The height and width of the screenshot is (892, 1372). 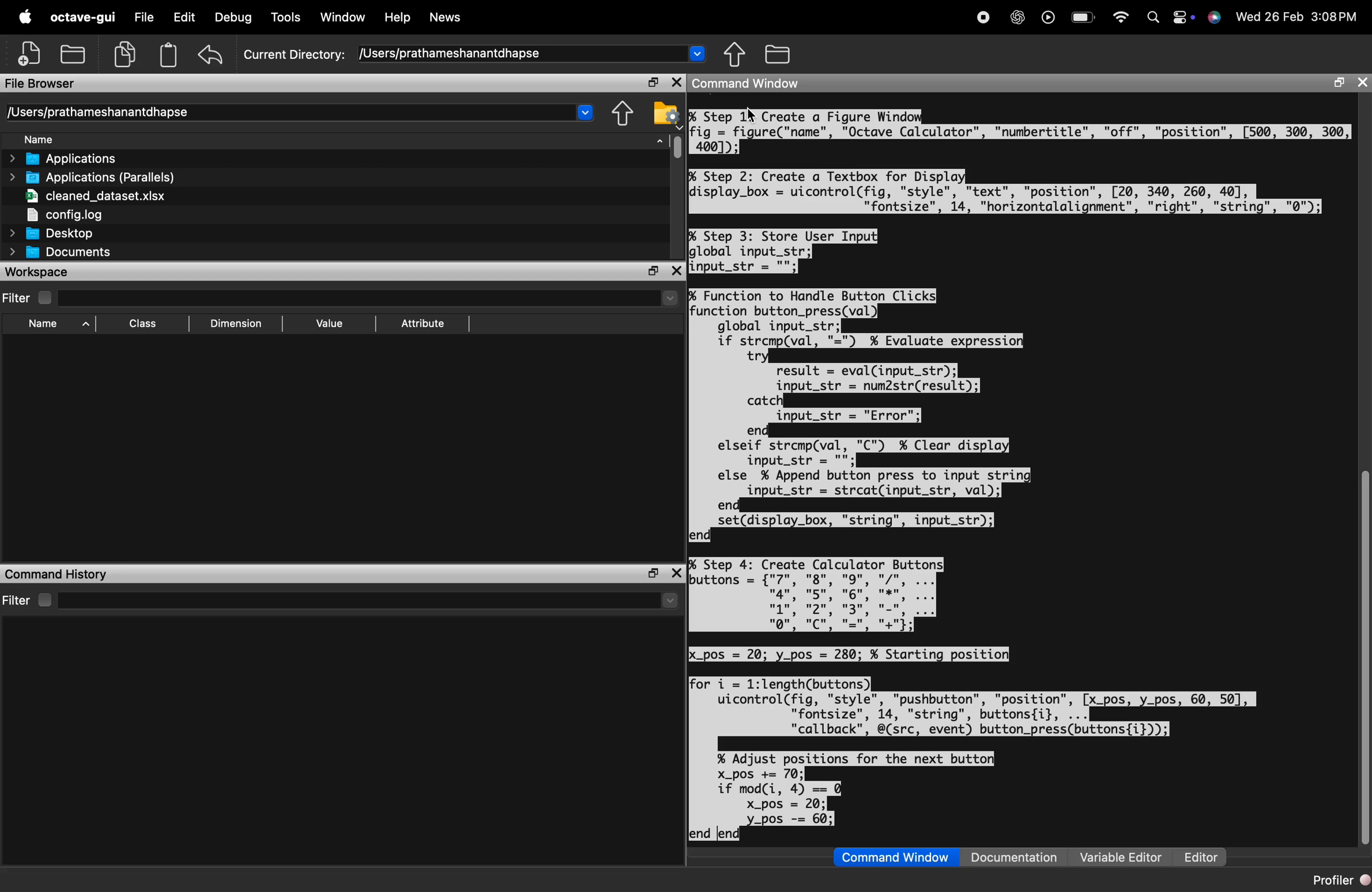 What do you see at coordinates (92, 177) in the screenshot?
I see `Applications (Parallels)` at bounding box center [92, 177].